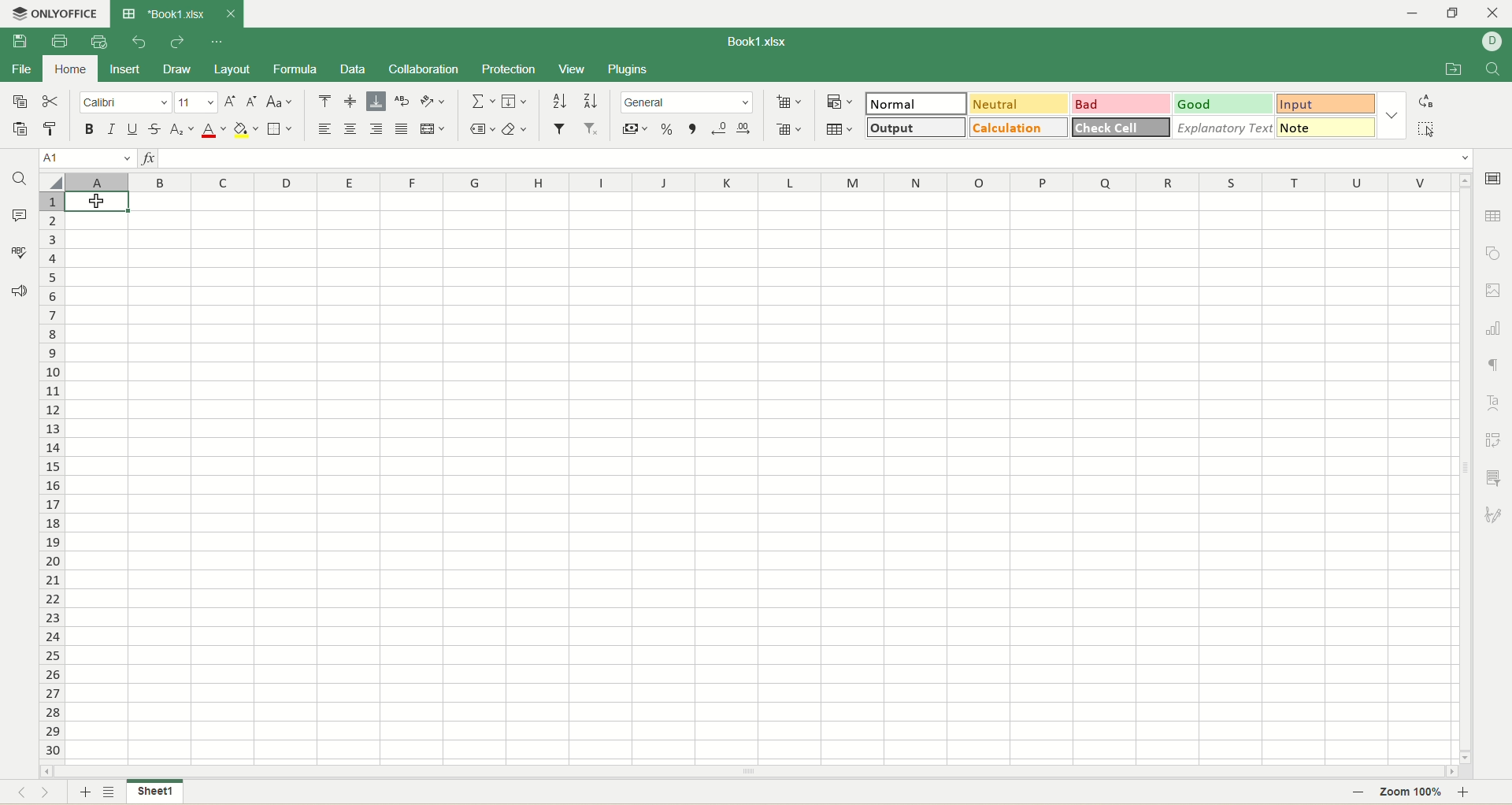  What do you see at coordinates (636, 127) in the screenshot?
I see `currency format` at bounding box center [636, 127].